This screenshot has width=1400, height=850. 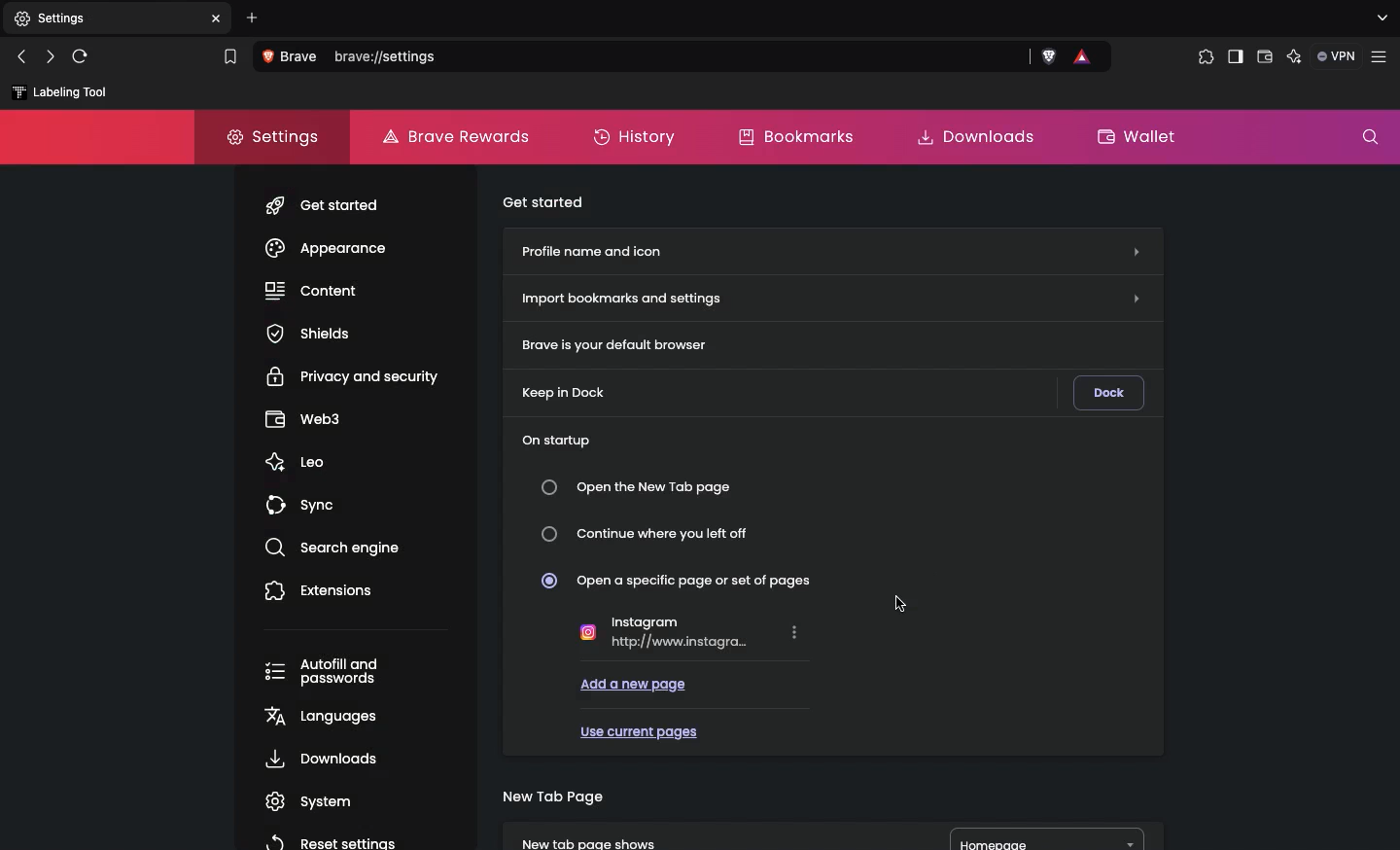 What do you see at coordinates (830, 248) in the screenshot?
I see `Profile name and icon` at bounding box center [830, 248].